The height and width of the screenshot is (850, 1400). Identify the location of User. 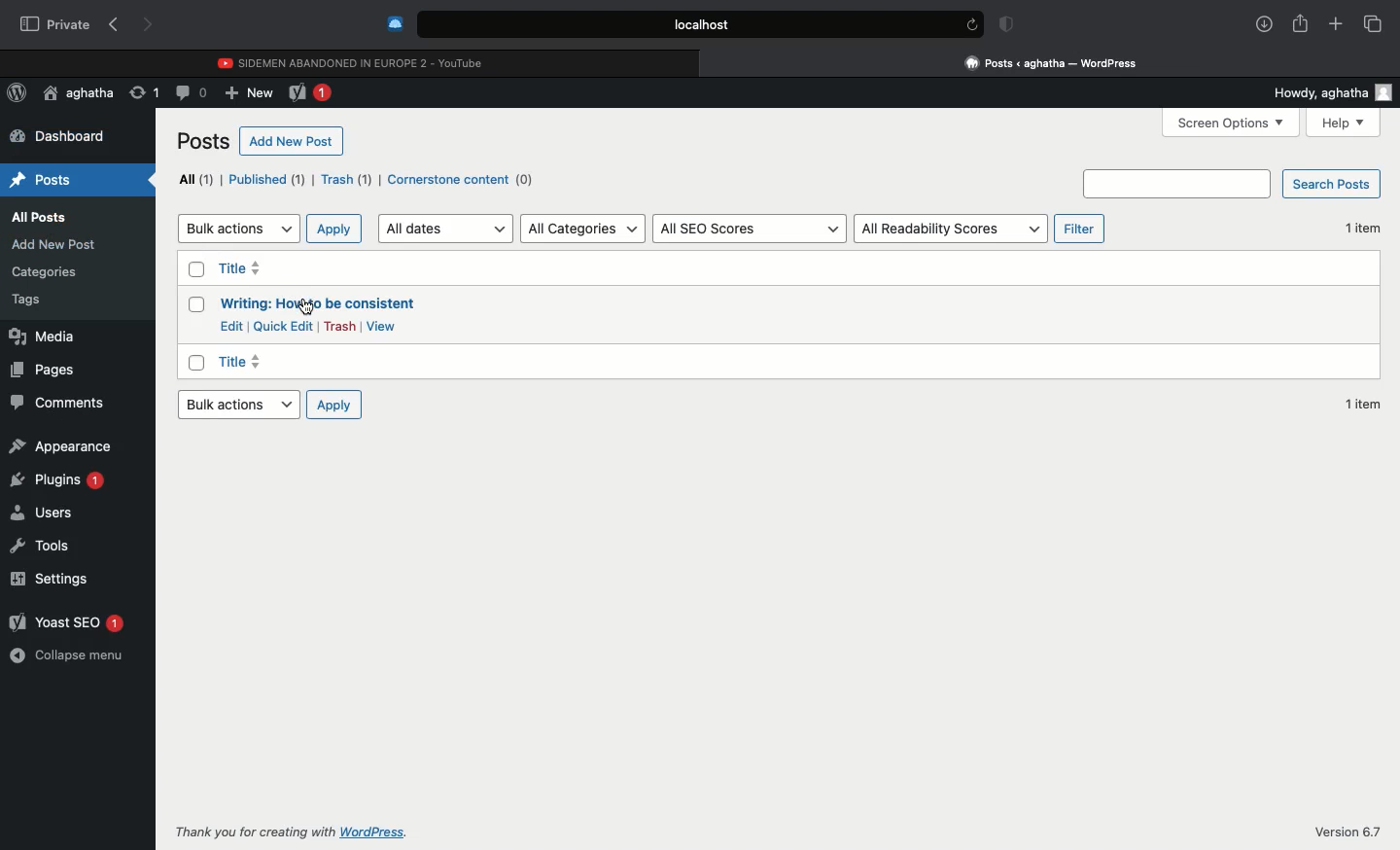
(79, 93).